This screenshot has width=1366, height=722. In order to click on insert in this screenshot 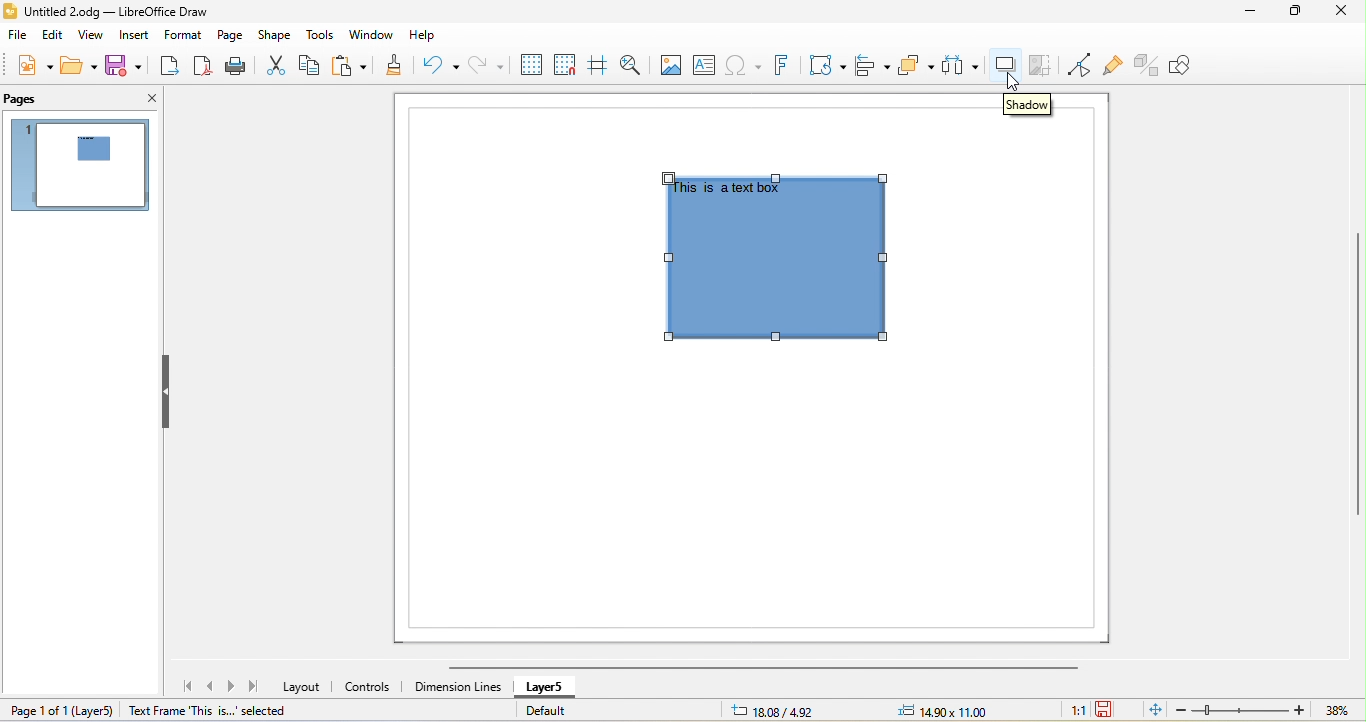, I will do `click(133, 36)`.